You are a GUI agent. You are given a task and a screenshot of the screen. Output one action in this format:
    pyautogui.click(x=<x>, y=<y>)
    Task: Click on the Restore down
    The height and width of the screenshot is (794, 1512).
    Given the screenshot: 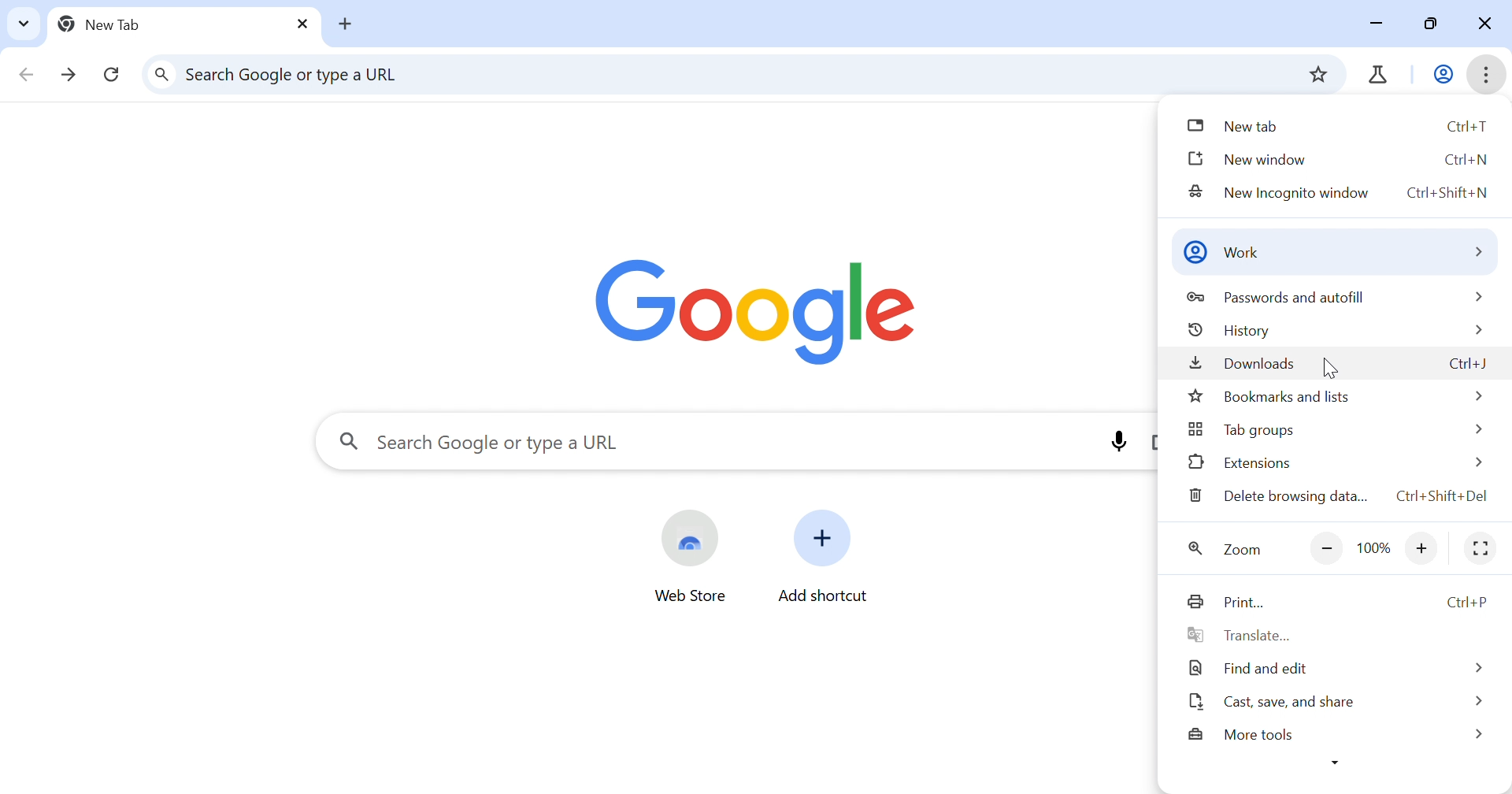 What is the action you would take?
    pyautogui.click(x=1435, y=26)
    